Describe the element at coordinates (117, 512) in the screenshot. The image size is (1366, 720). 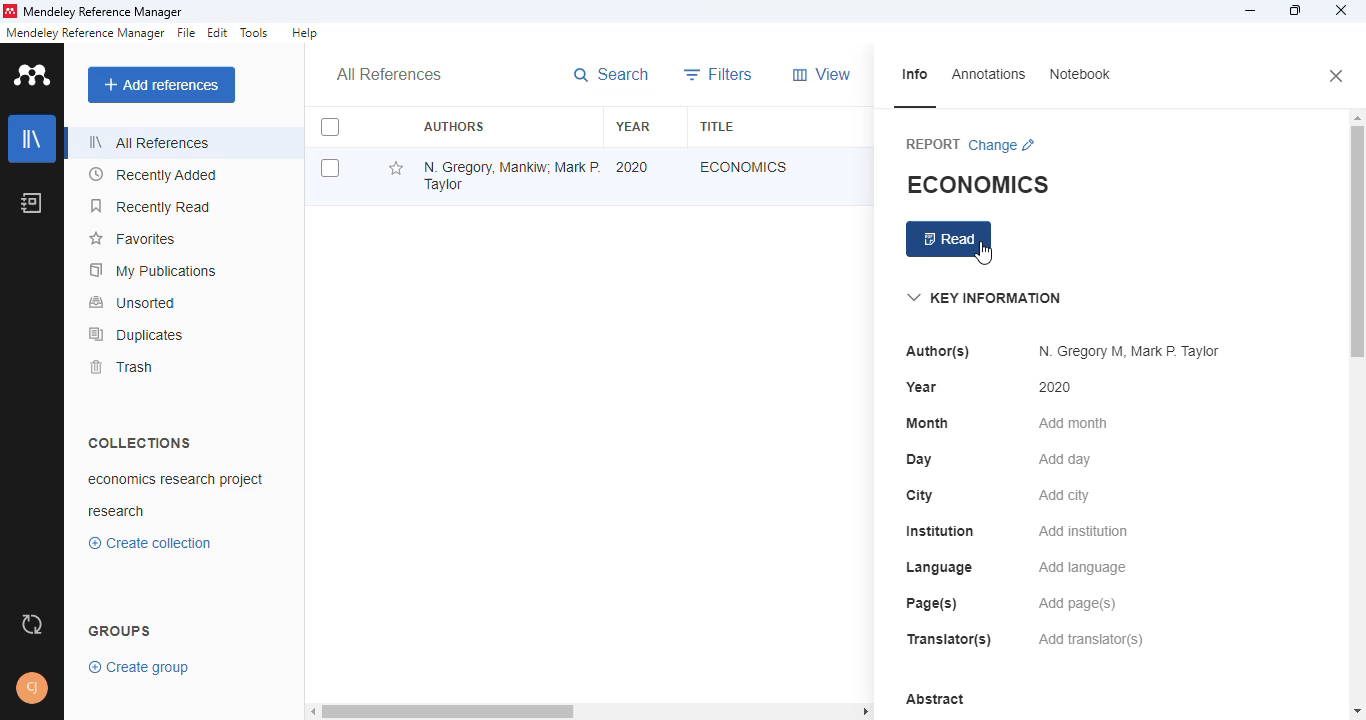
I see `research` at that location.